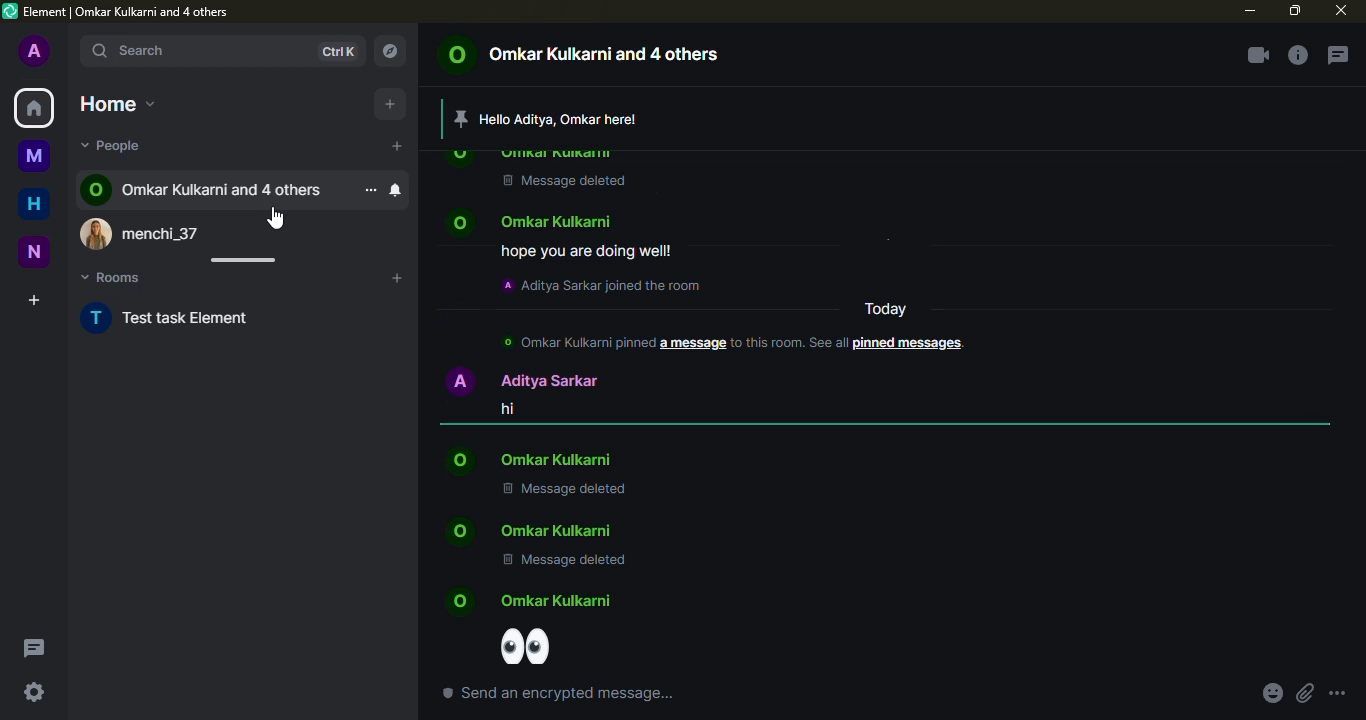 The image size is (1366, 720). I want to click on navigator, so click(391, 48).